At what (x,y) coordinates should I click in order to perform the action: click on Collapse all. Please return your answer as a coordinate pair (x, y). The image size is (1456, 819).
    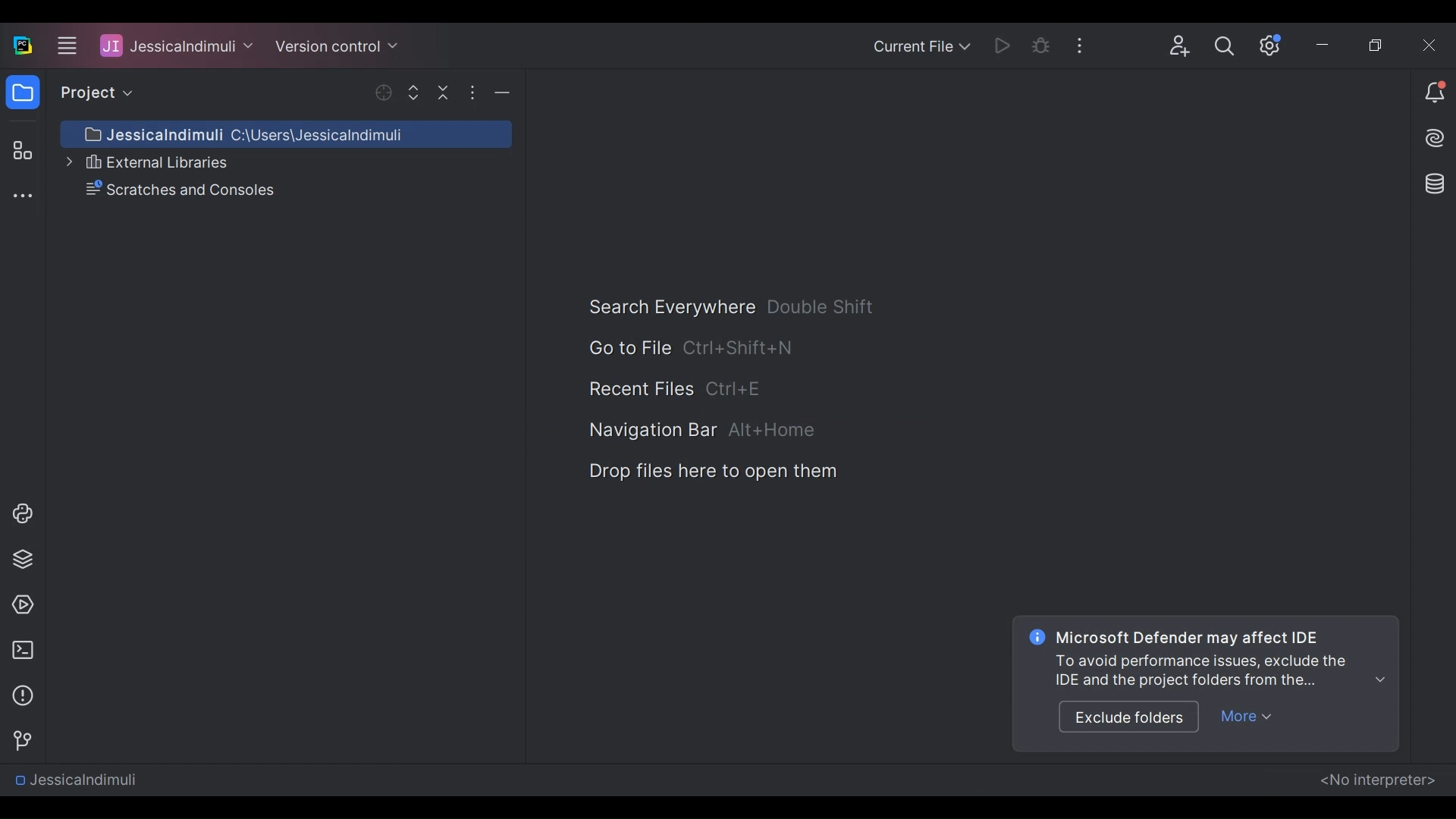
    Looking at the image, I should click on (445, 92).